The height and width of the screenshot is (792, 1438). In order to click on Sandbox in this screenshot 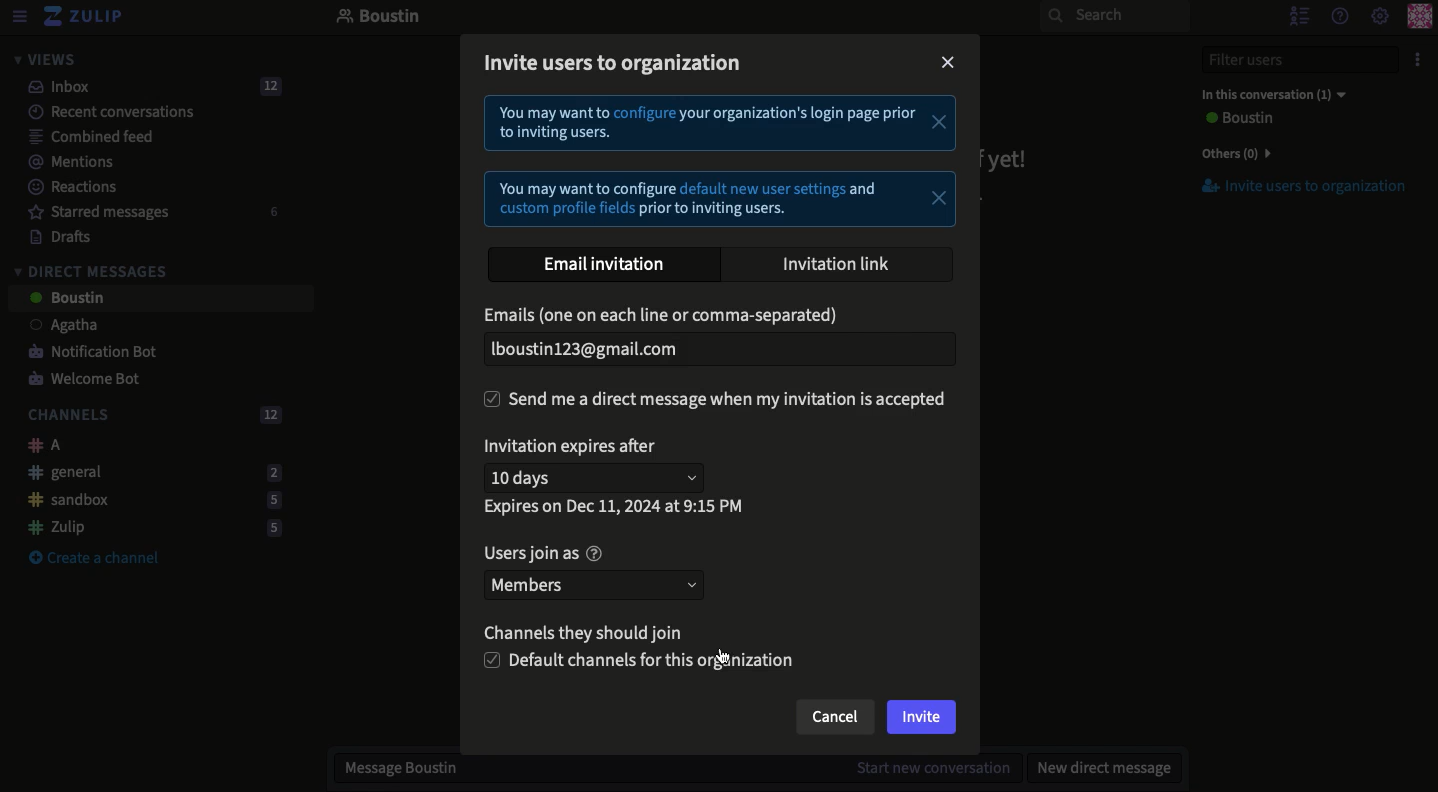, I will do `click(147, 501)`.